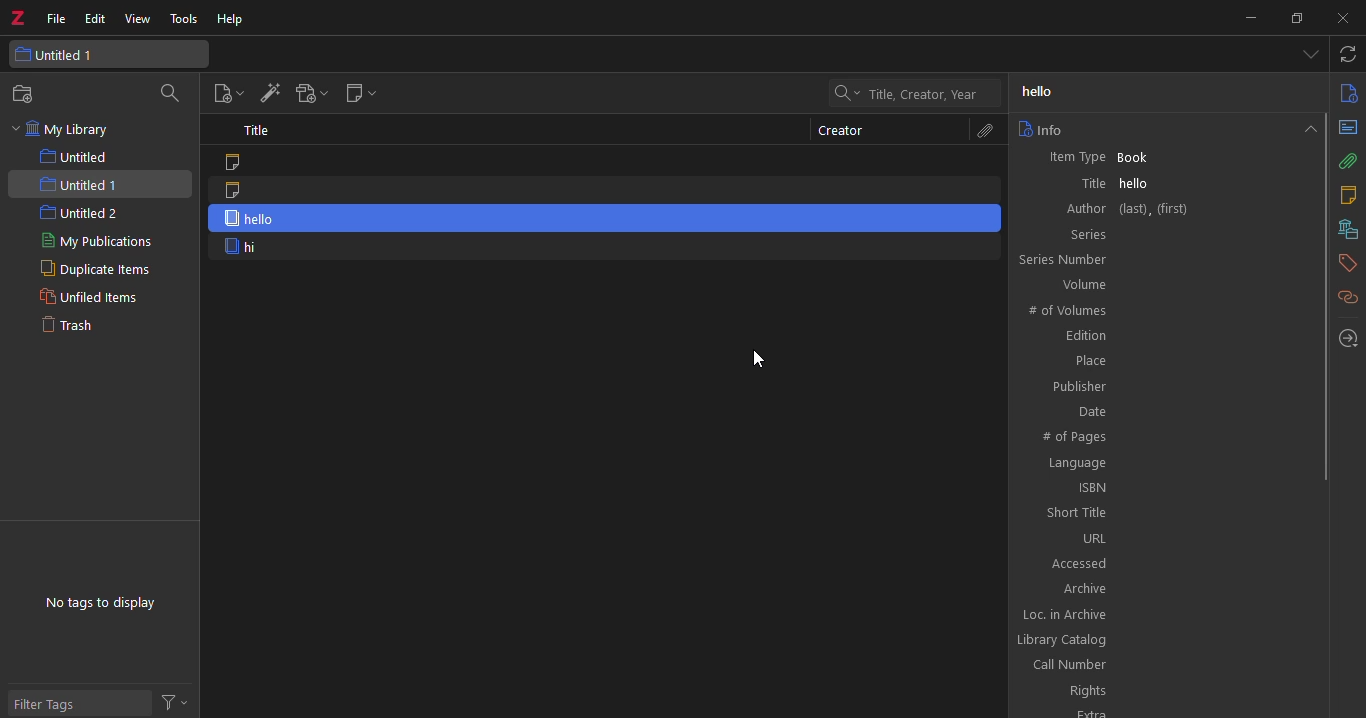 The height and width of the screenshot is (718, 1366). What do you see at coordinates (1310, 56) in the screenshot?
I see `list all tabs` at bounding box center [1310, 56].